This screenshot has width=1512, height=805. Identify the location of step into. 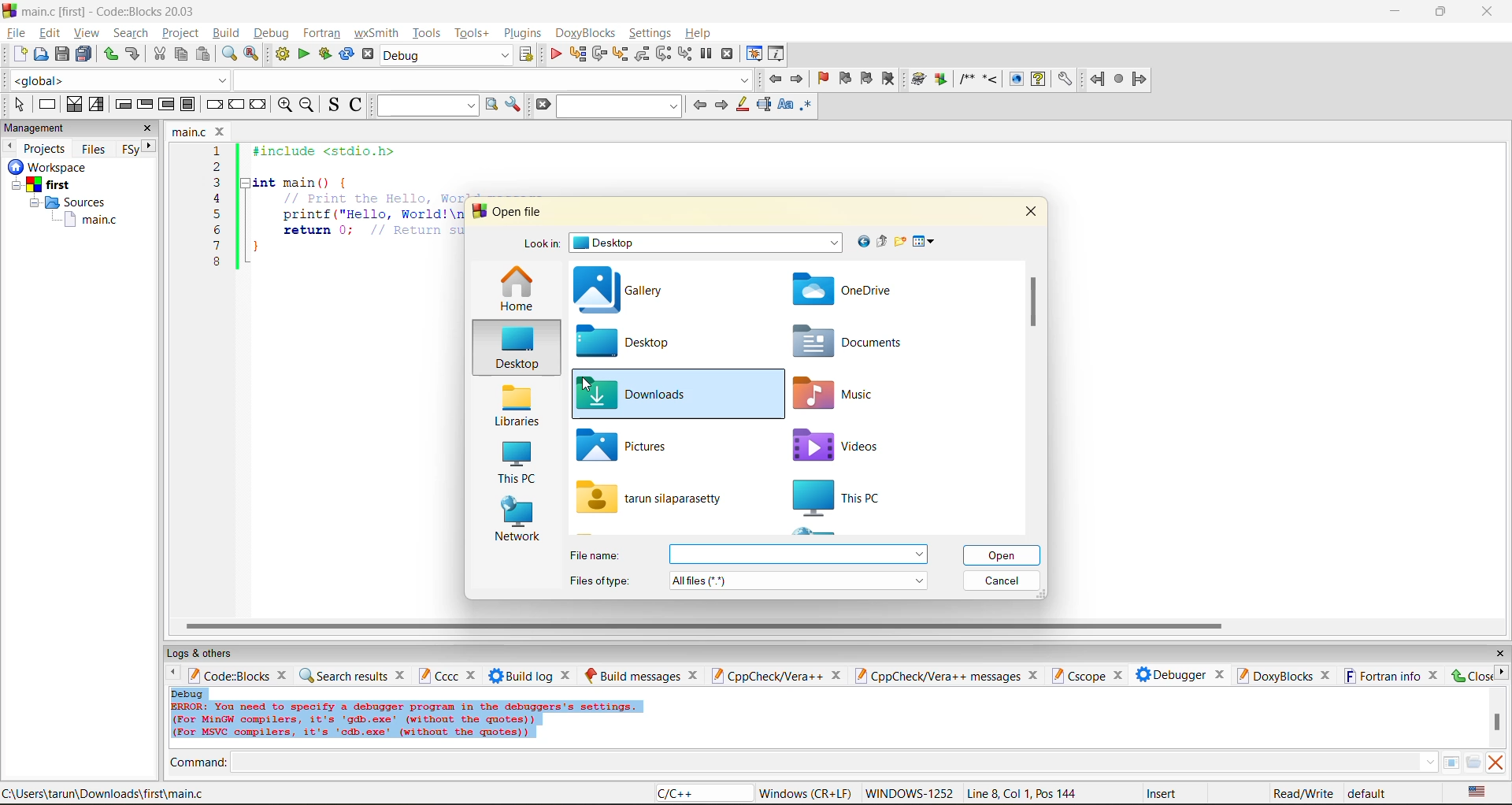
(990, 78).